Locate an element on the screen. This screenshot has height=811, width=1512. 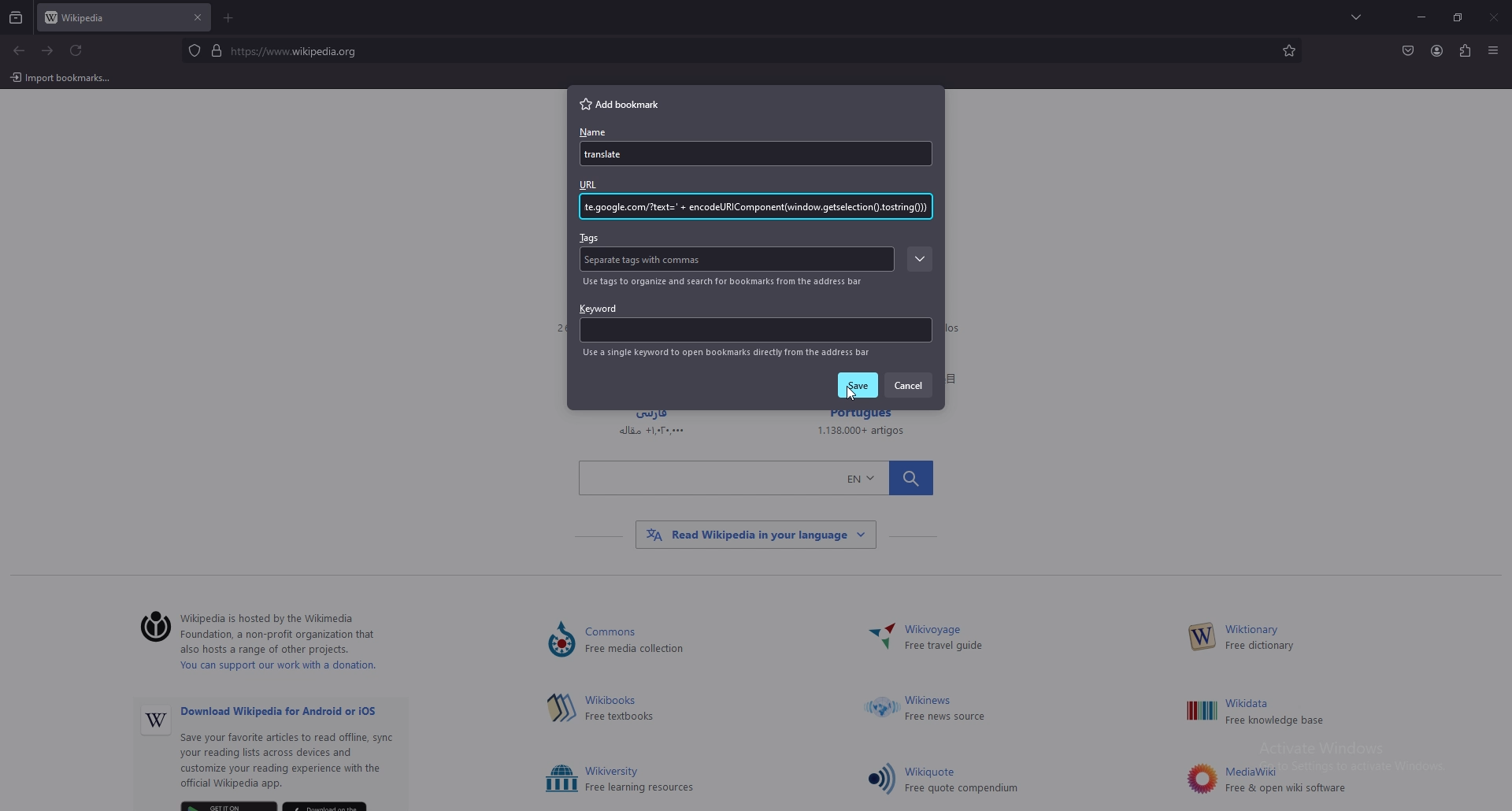
 is located at coordinates (156, 722).